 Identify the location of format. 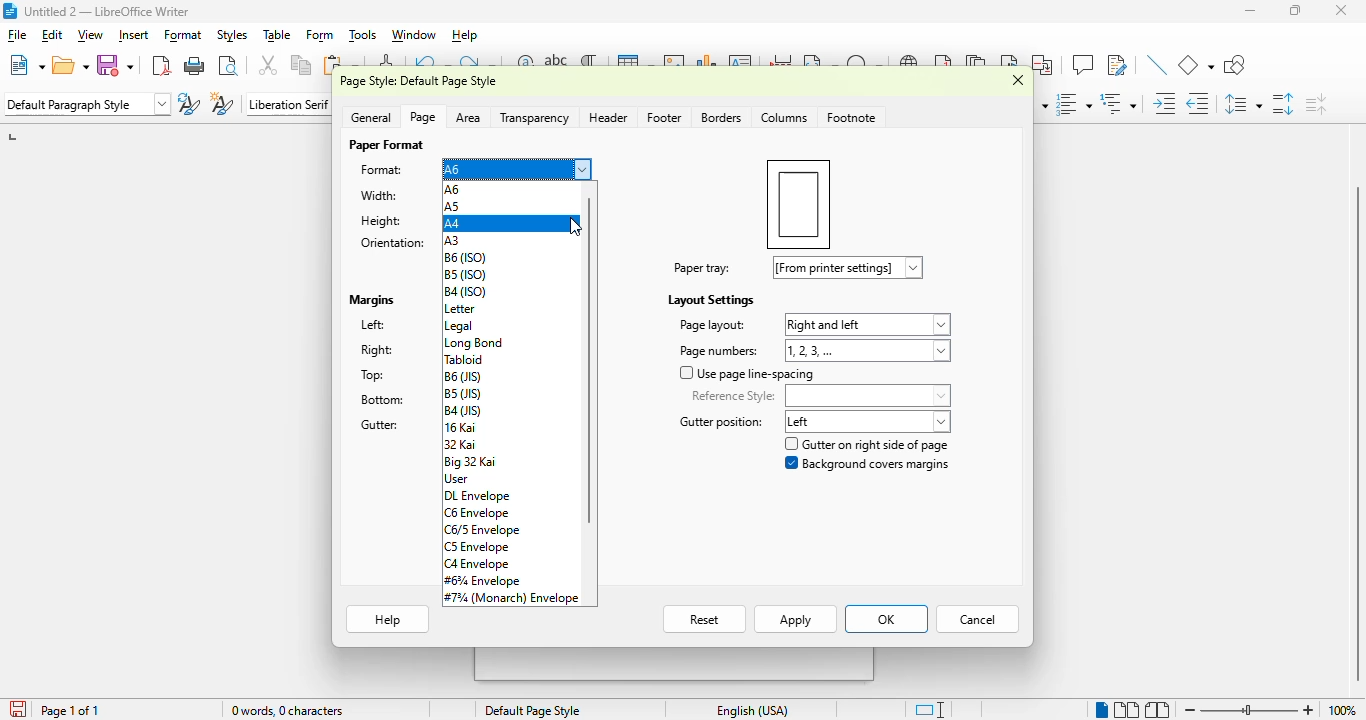
(184, 34).